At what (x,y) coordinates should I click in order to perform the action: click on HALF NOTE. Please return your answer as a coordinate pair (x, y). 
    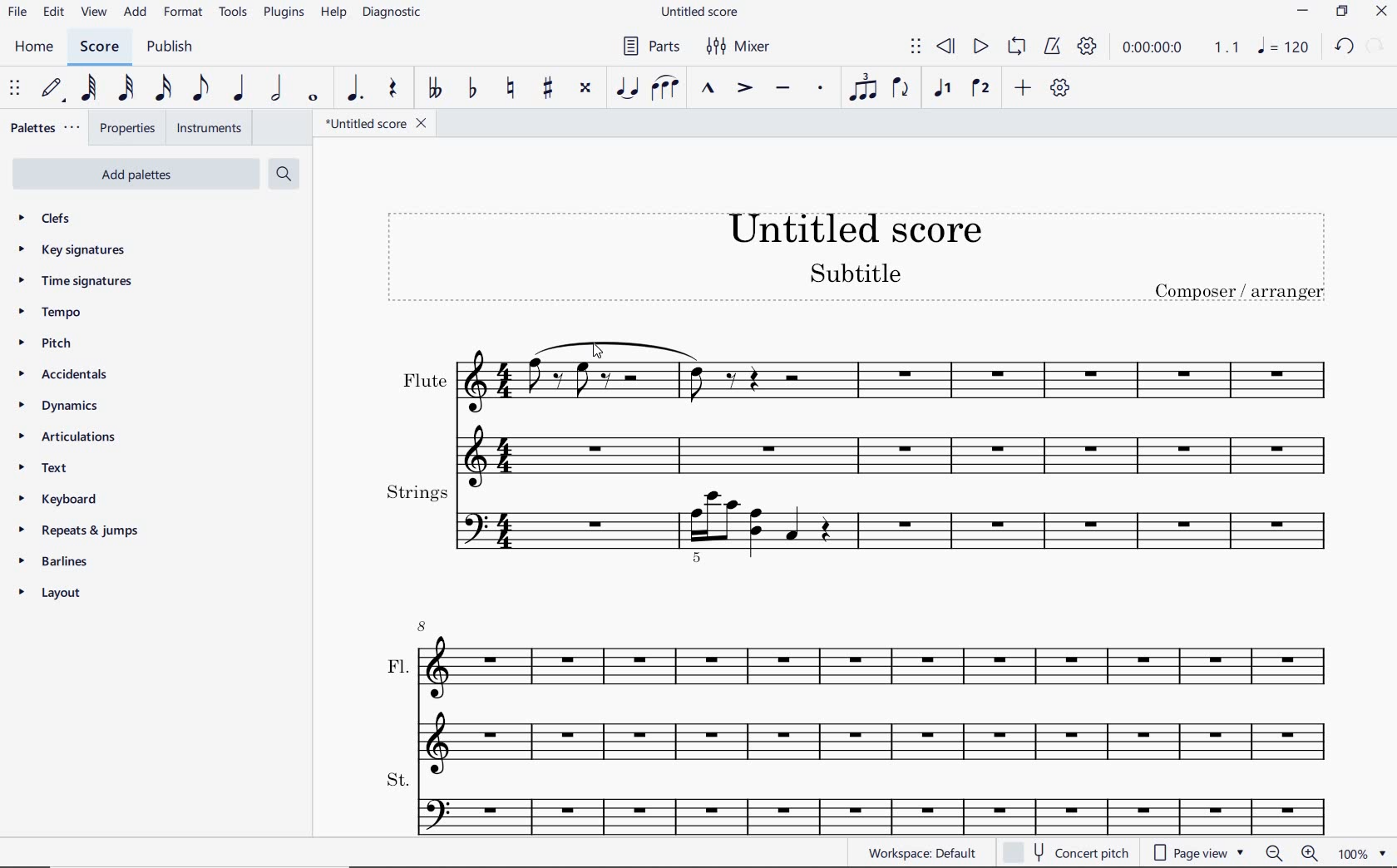
    Looking at the image, I should click on (280, 89).